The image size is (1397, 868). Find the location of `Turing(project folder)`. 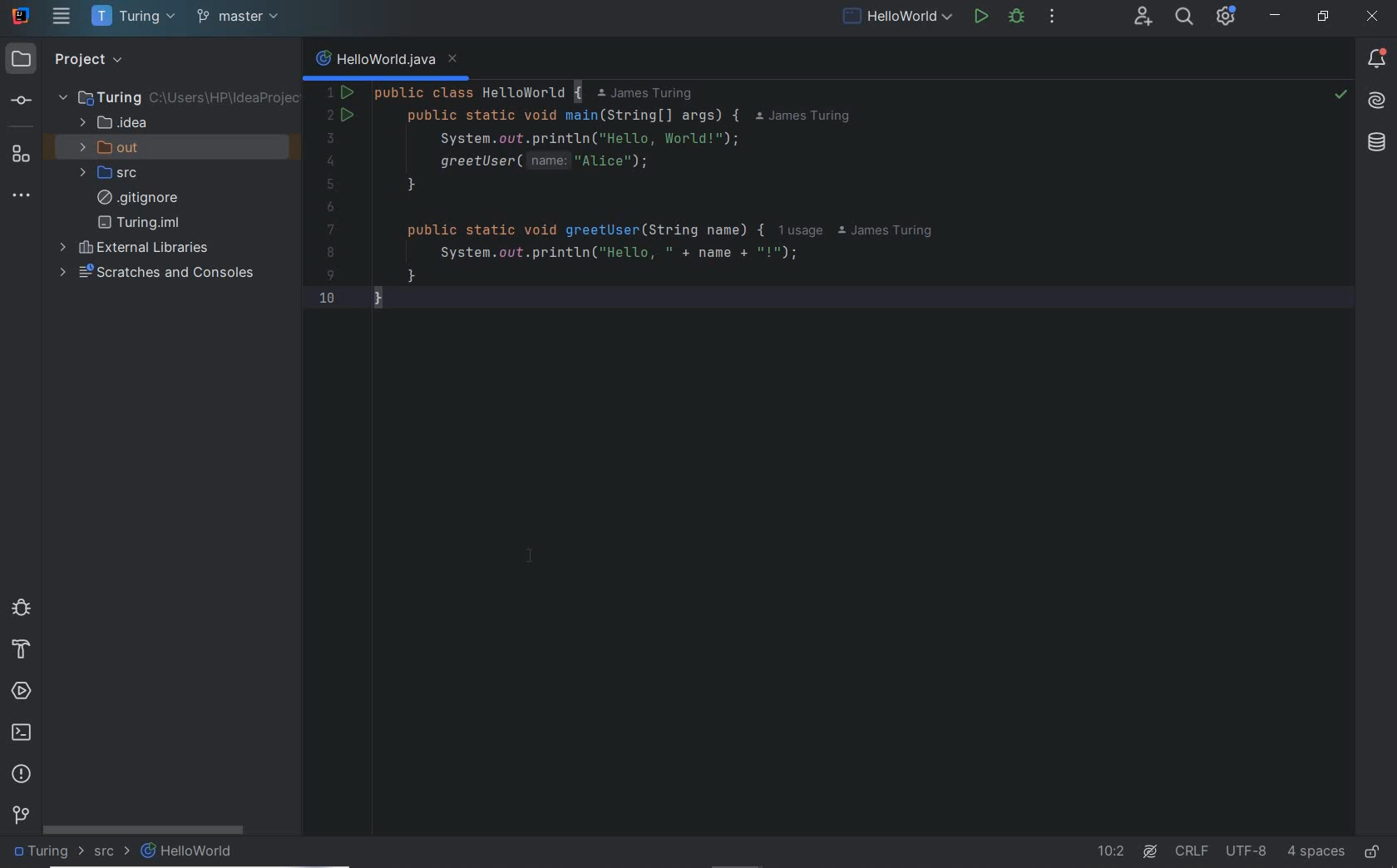

Turing(project folder) is located at coordinates (179, 97).